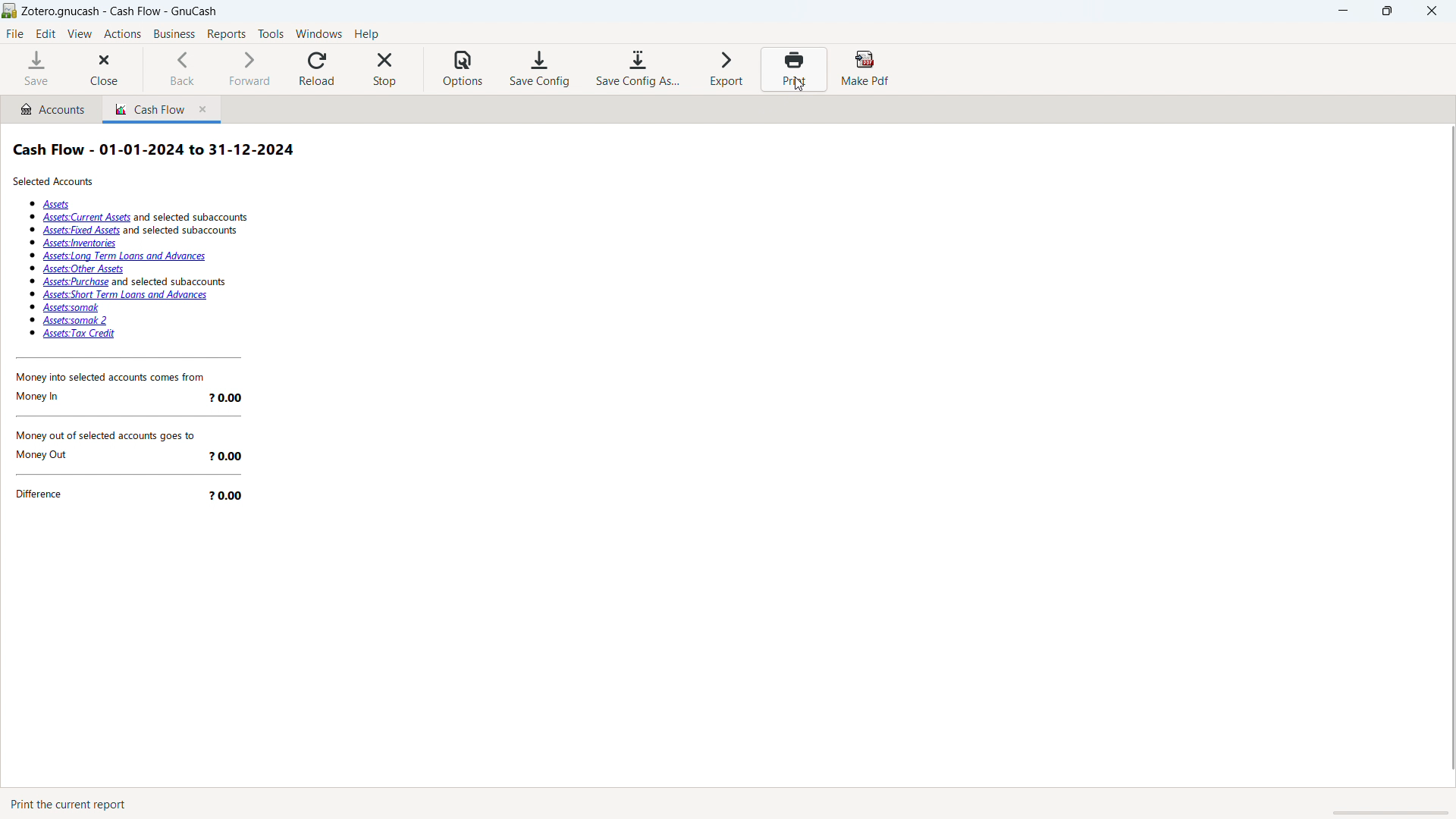  What do you see at coordinates (797, 84) in the screenshot?
I see `cursor` at bounding box center [797, 84].